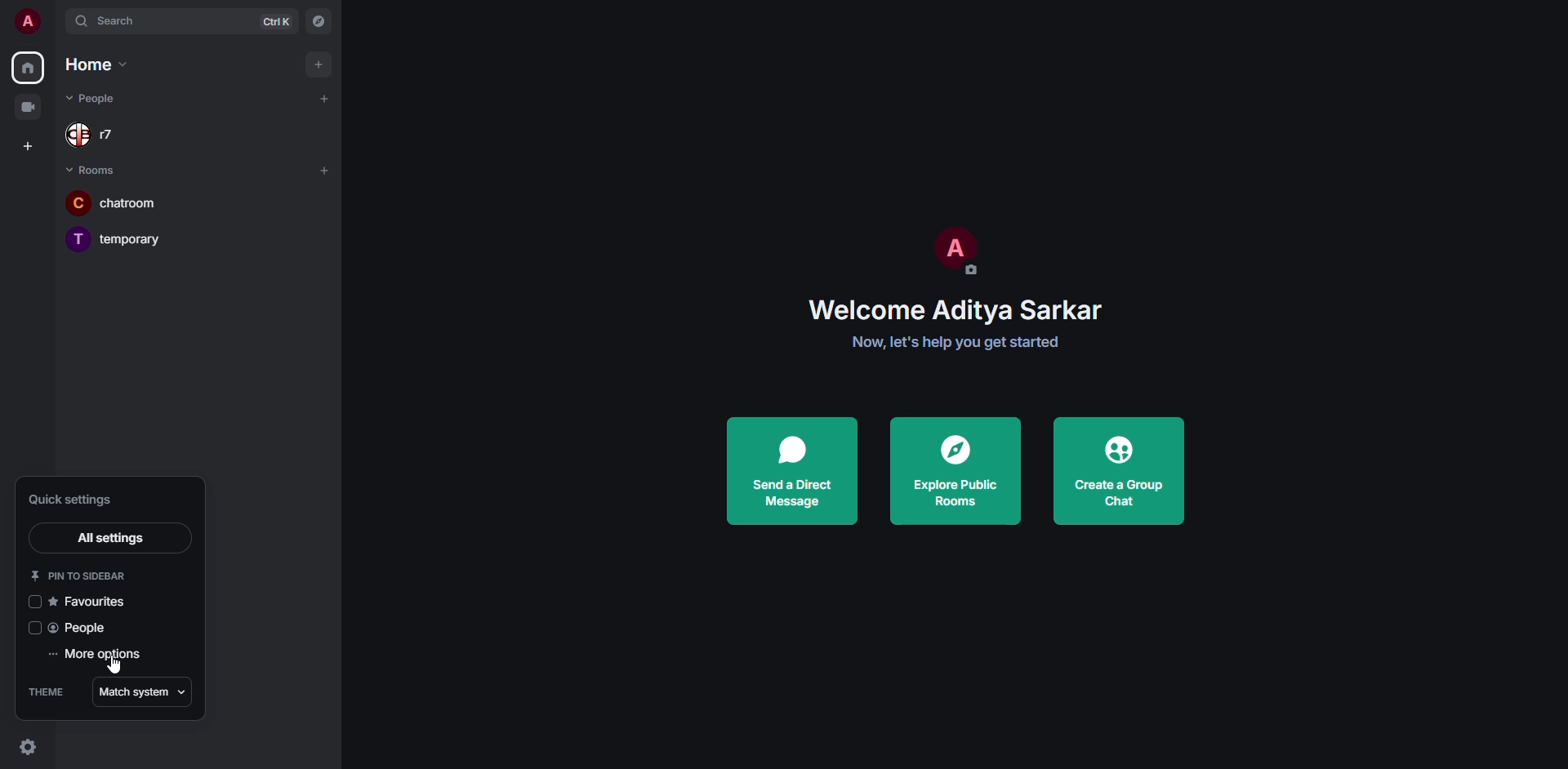  What do you see at coordinates (93, 602) in the screenshot?
I see `favorites` at bounding box center [93, 602].